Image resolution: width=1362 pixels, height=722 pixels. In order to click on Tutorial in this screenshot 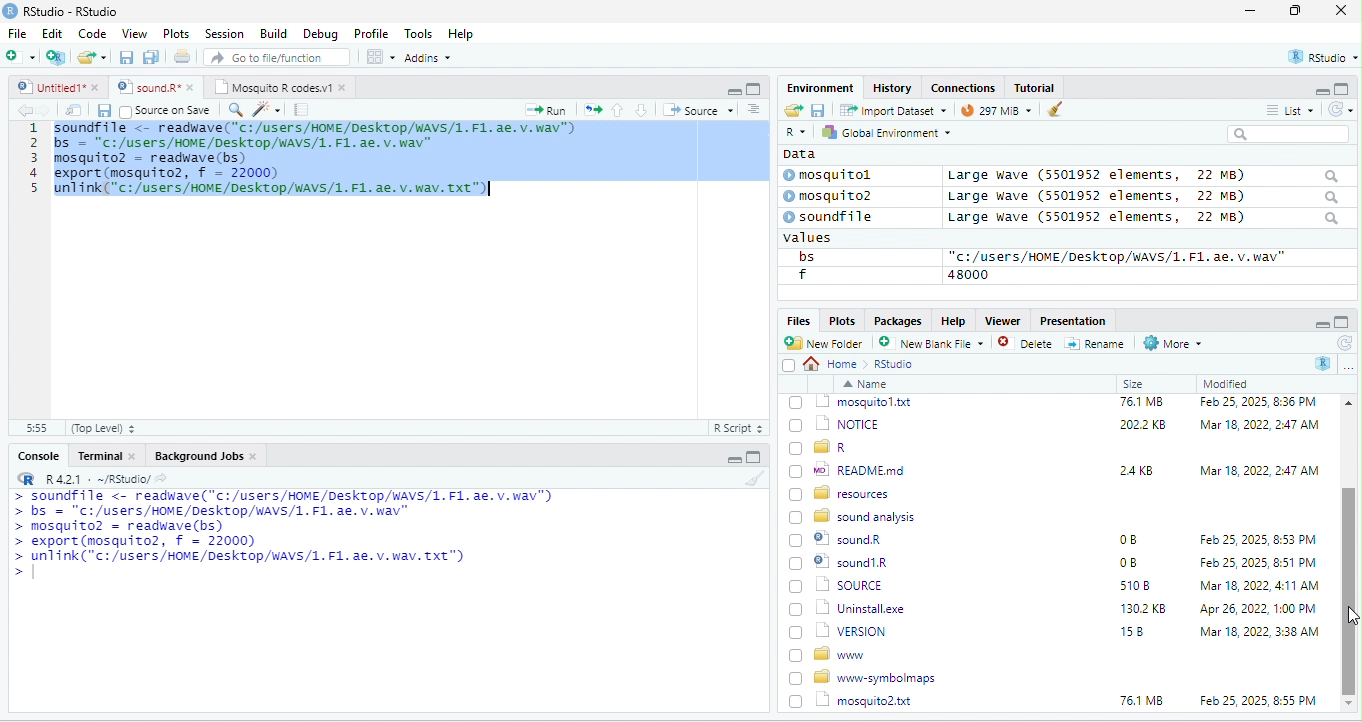, I will do `click(1037, 87)`.